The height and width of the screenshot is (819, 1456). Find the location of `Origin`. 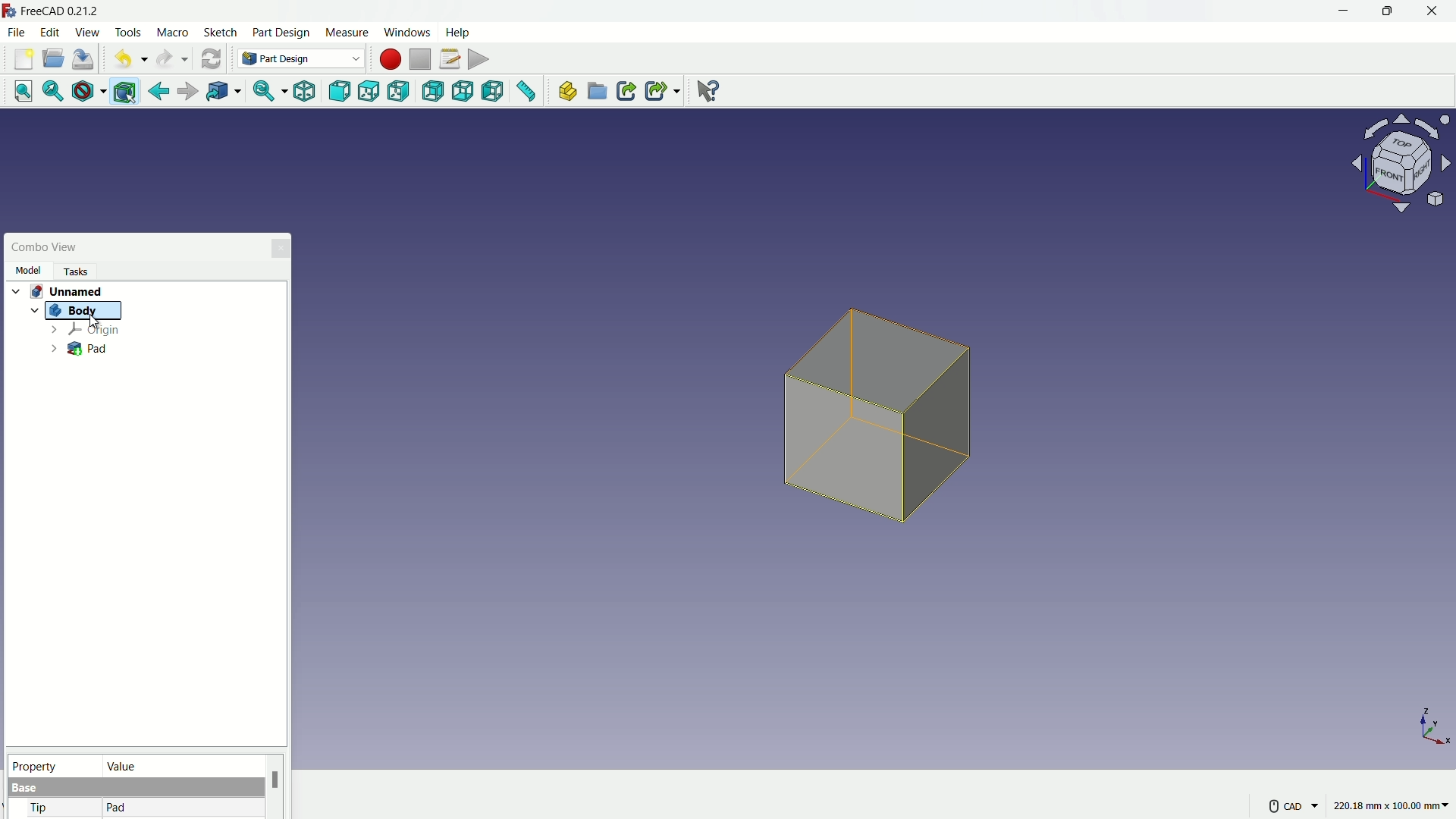

Origin is located at coordinates (84, 330).